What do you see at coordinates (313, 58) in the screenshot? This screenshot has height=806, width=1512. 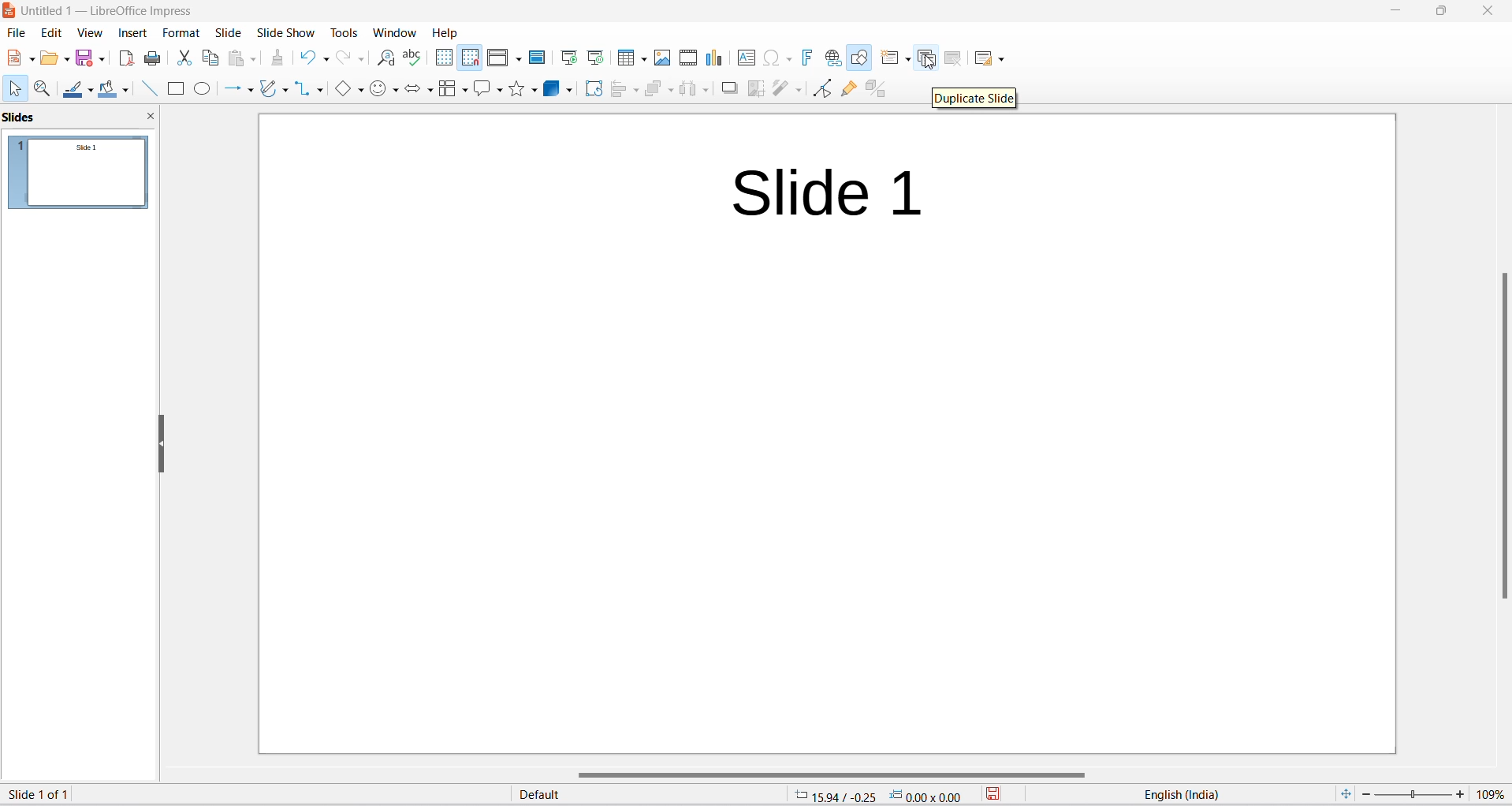 I see `undo` at bounding box center [313, 58].